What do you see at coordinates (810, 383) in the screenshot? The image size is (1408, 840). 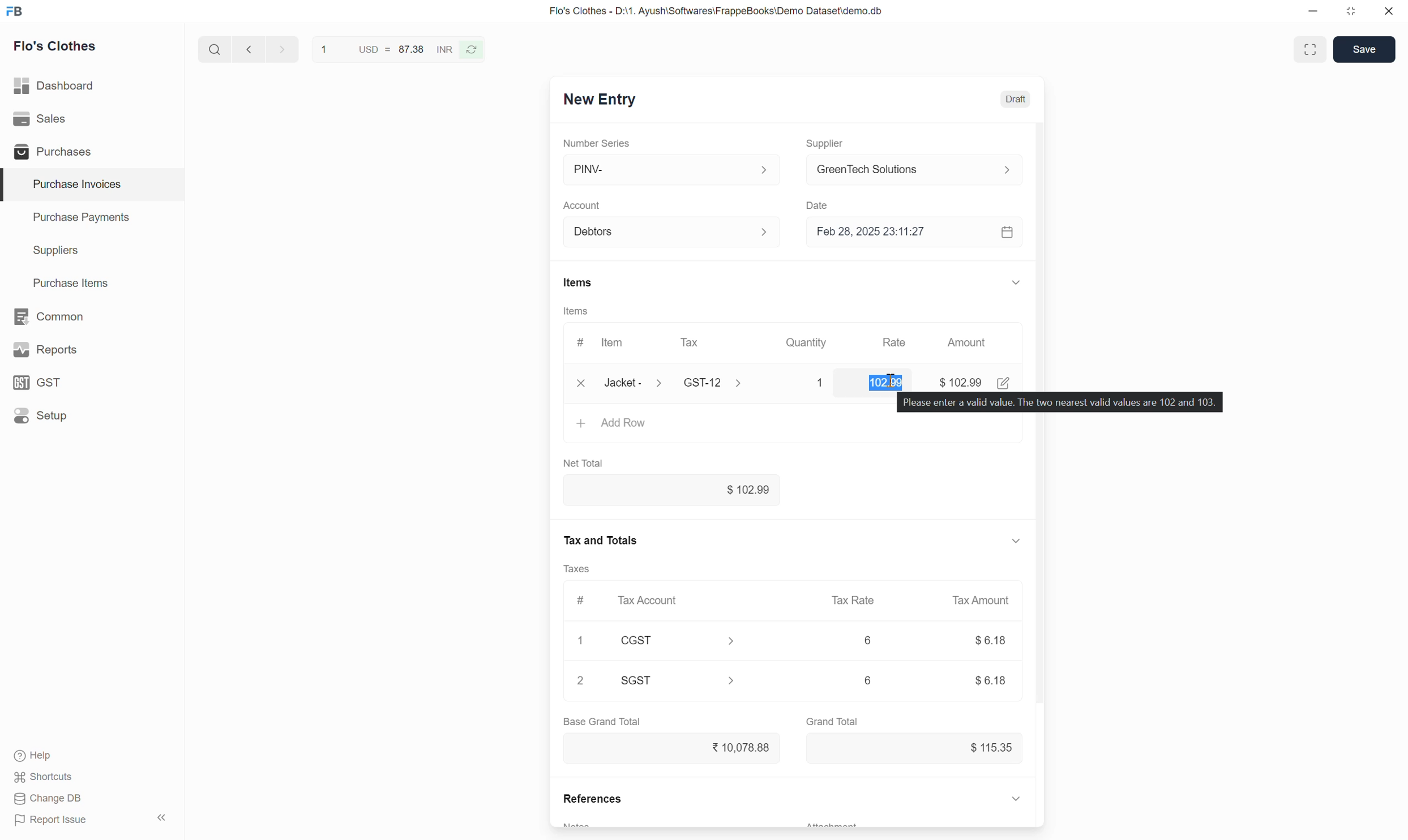 I see `1` at bounding box center [810, 383].